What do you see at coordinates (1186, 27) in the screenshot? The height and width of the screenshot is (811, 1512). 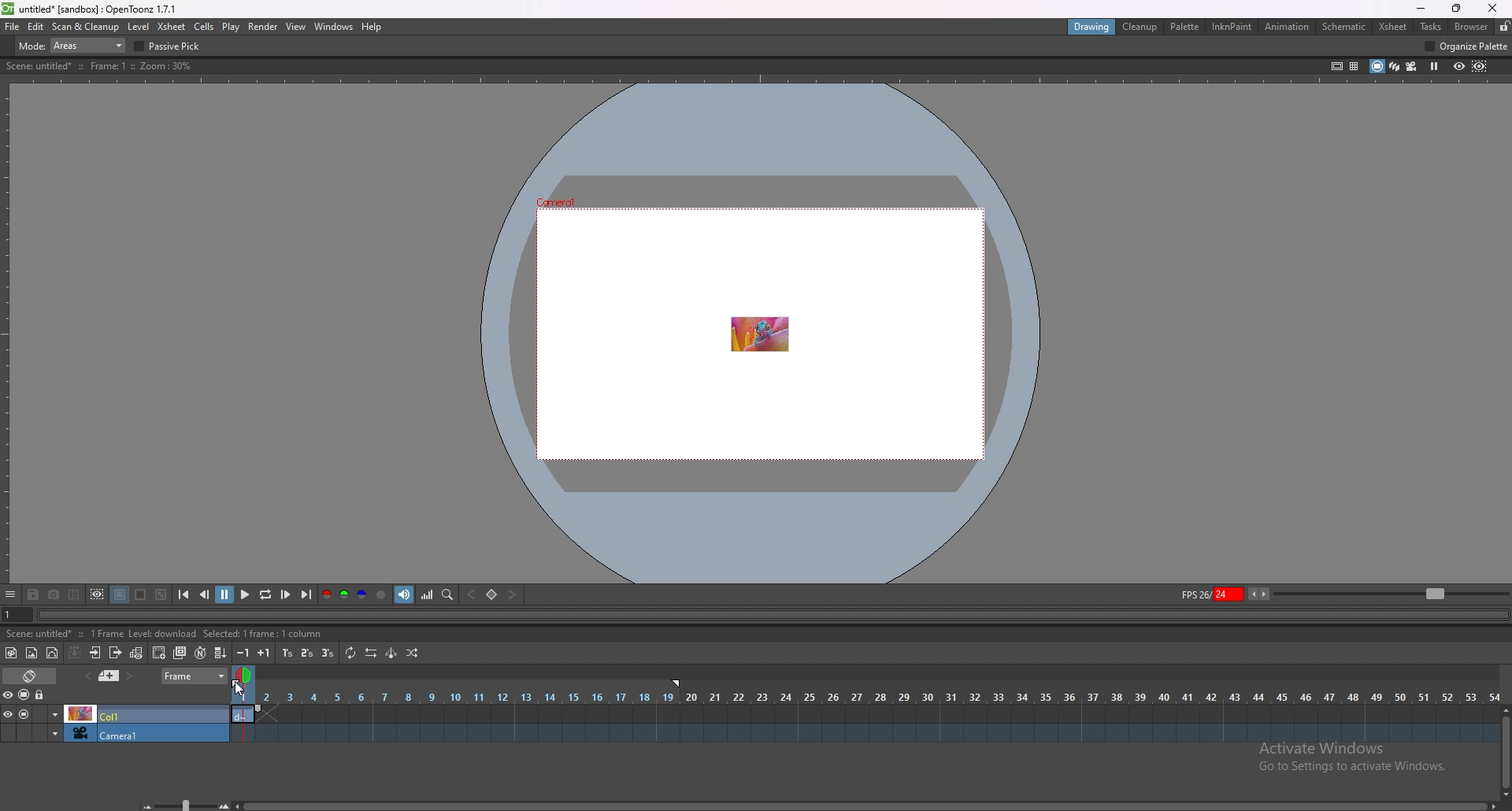 I see `palette` at bounding box center [1186, 27].